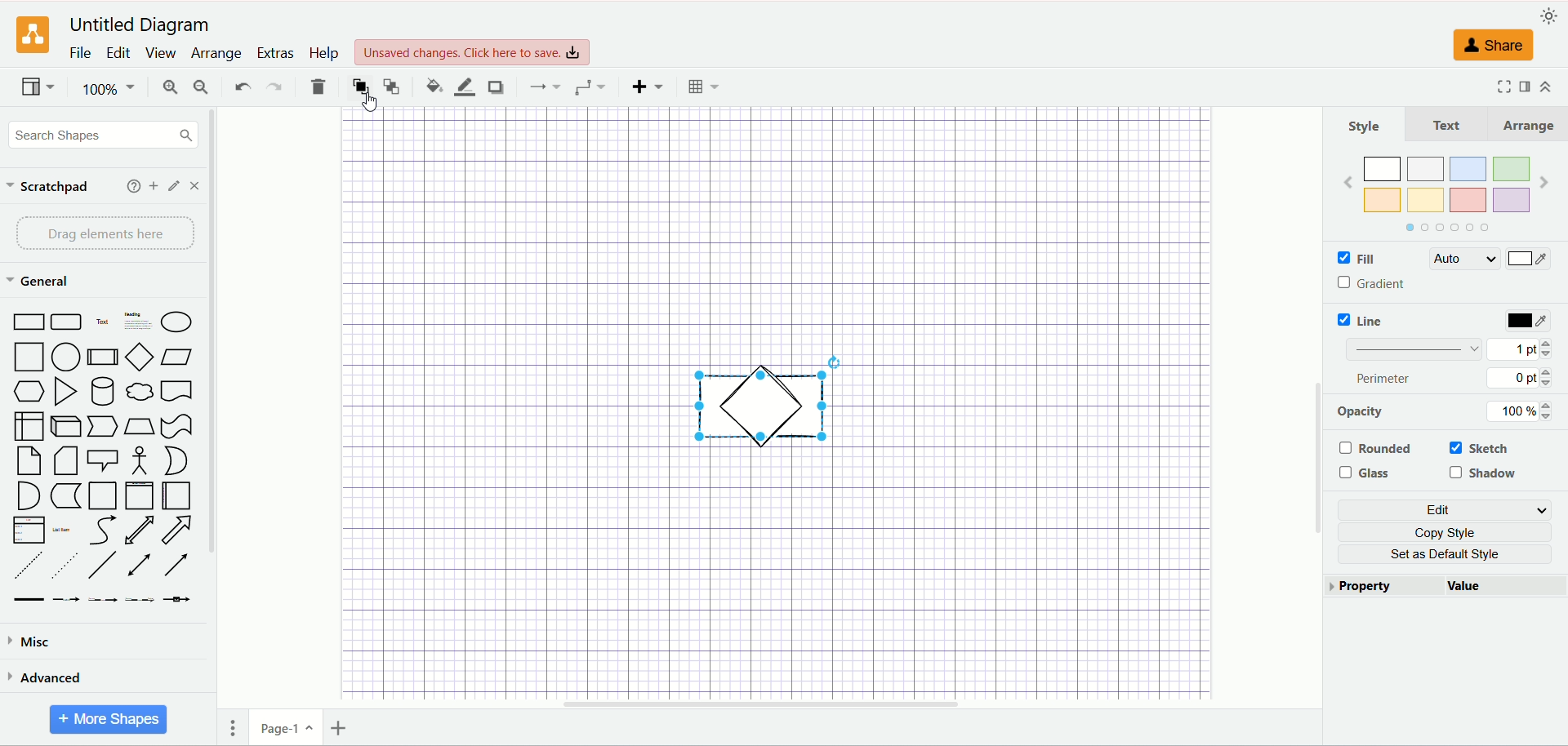 The image size is (1568, 746). I want to click on value, so click(1503, 588).